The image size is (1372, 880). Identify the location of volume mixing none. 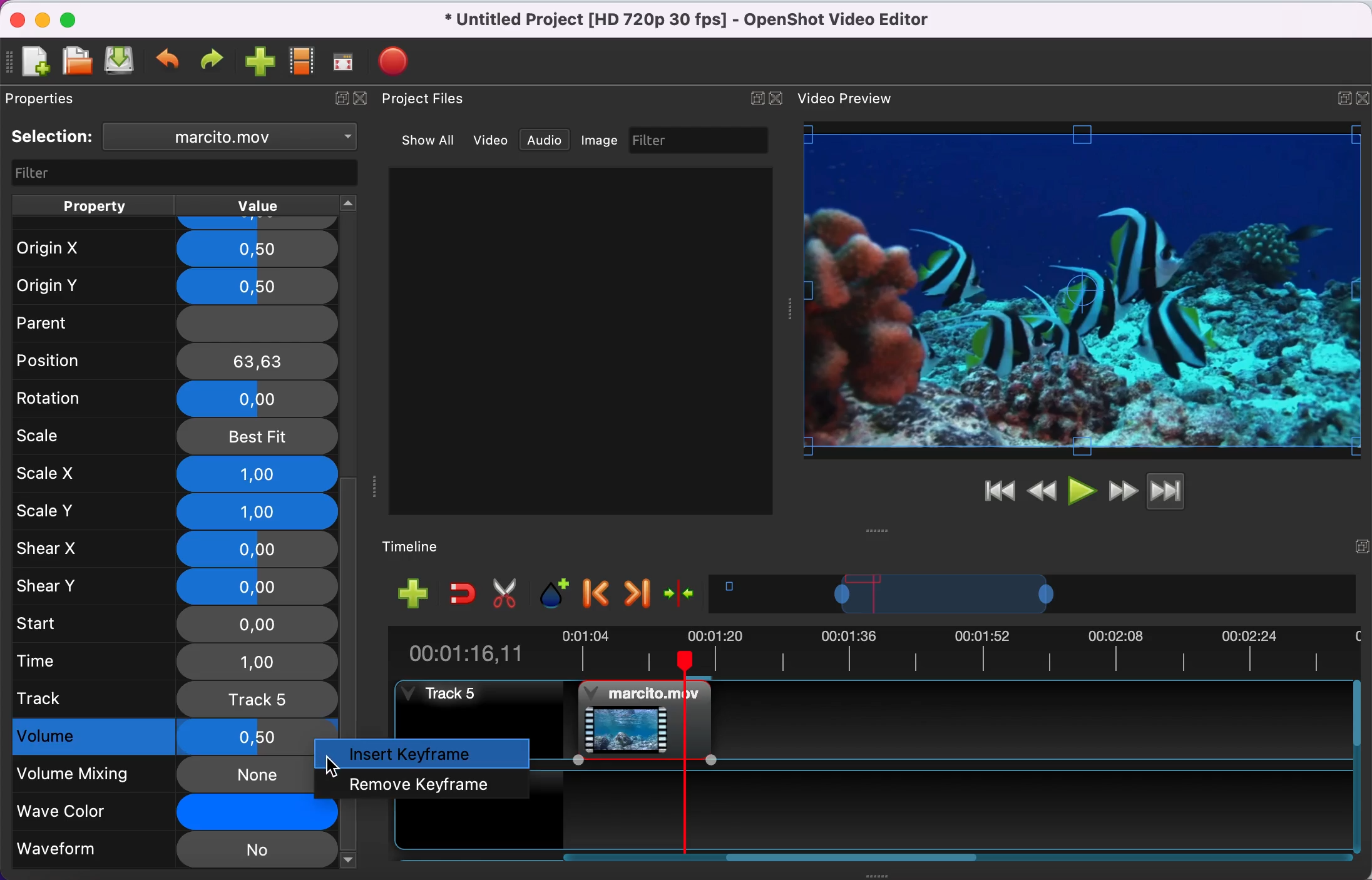
(155, 774).